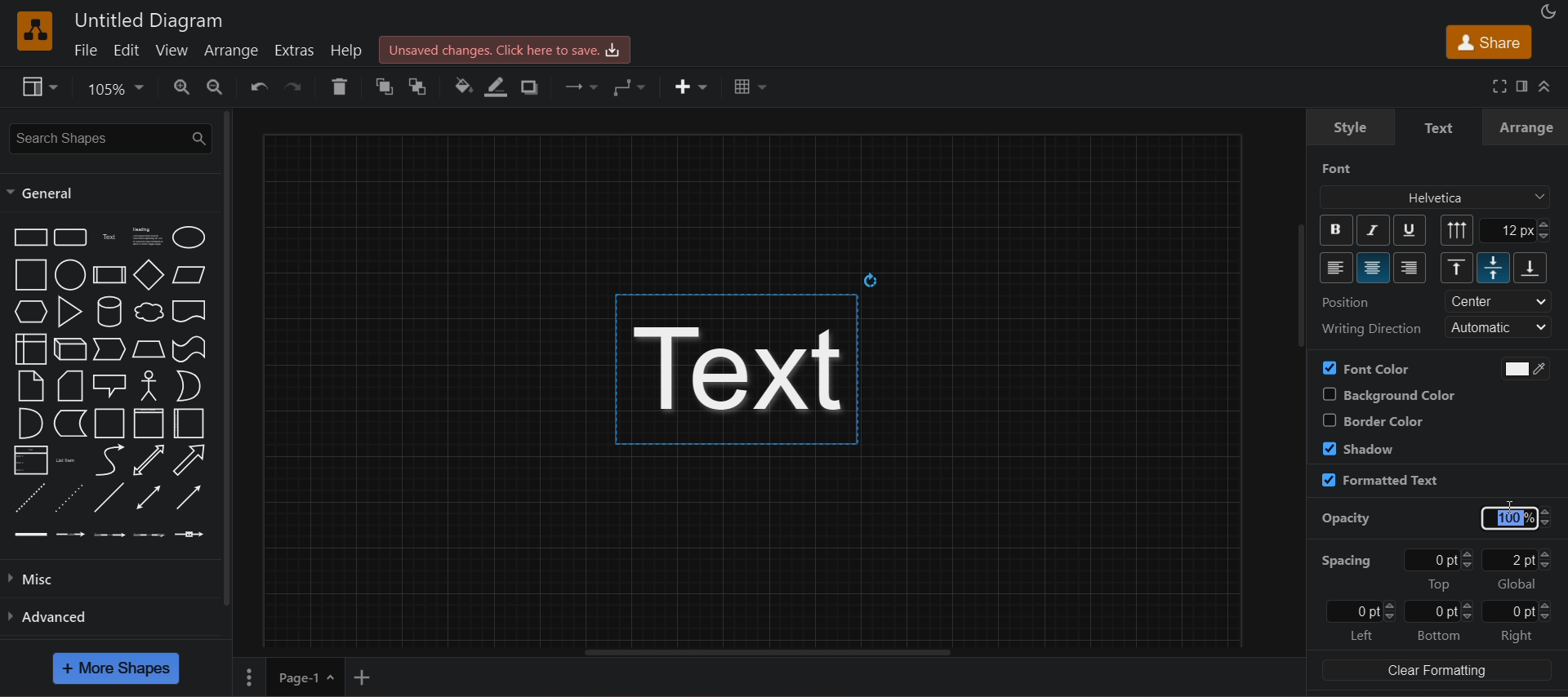 This screenshot has width=1568, height=697. What do you see at coordinates (29, 275) in the screenshot?
I see `square` at bounding box center [29, 275].